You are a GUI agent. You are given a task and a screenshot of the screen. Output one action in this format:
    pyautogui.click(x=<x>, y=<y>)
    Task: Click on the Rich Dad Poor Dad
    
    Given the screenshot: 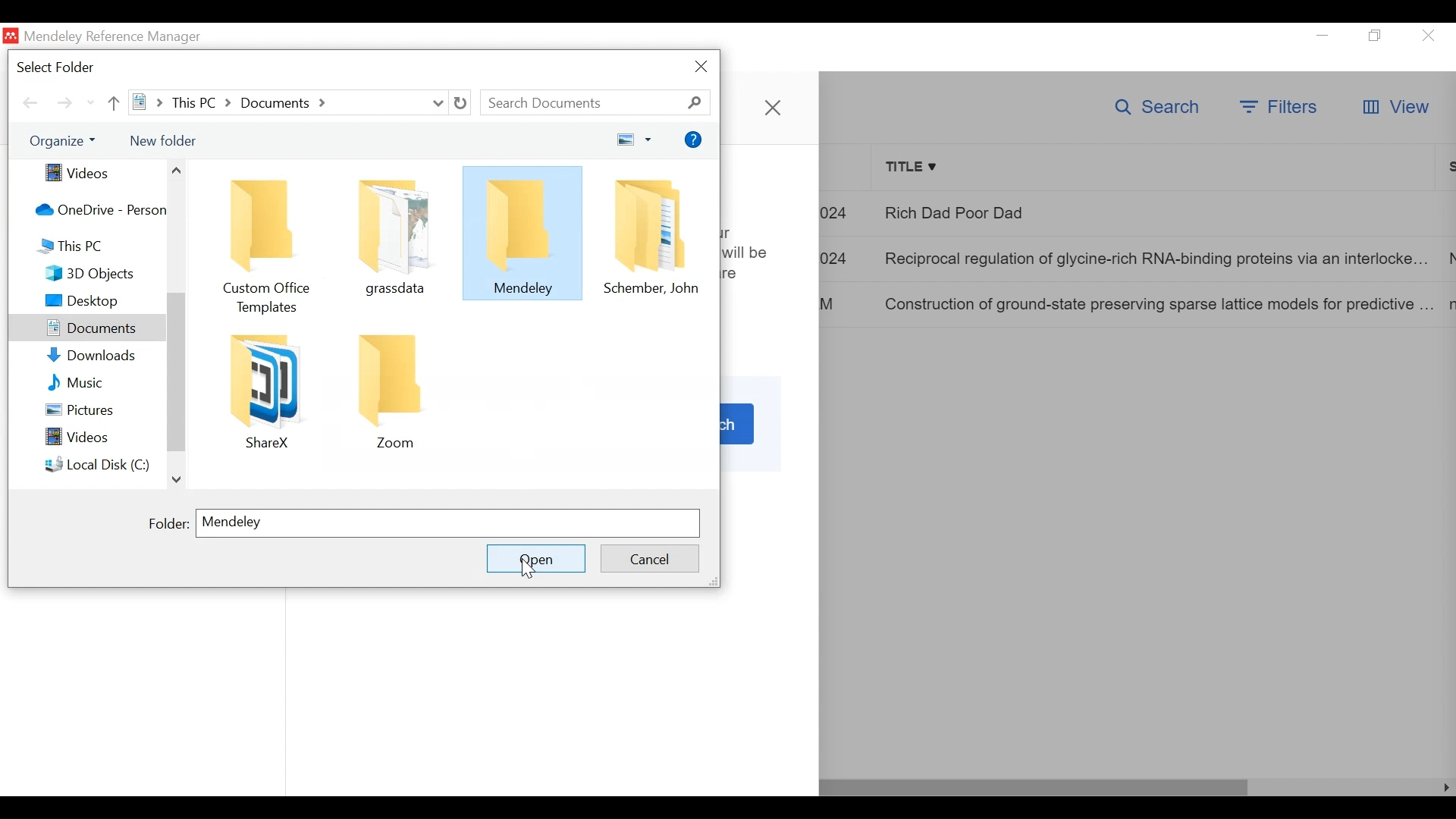 What is the action you would take?
    pyautogui.click(x=1042, y=215)
    